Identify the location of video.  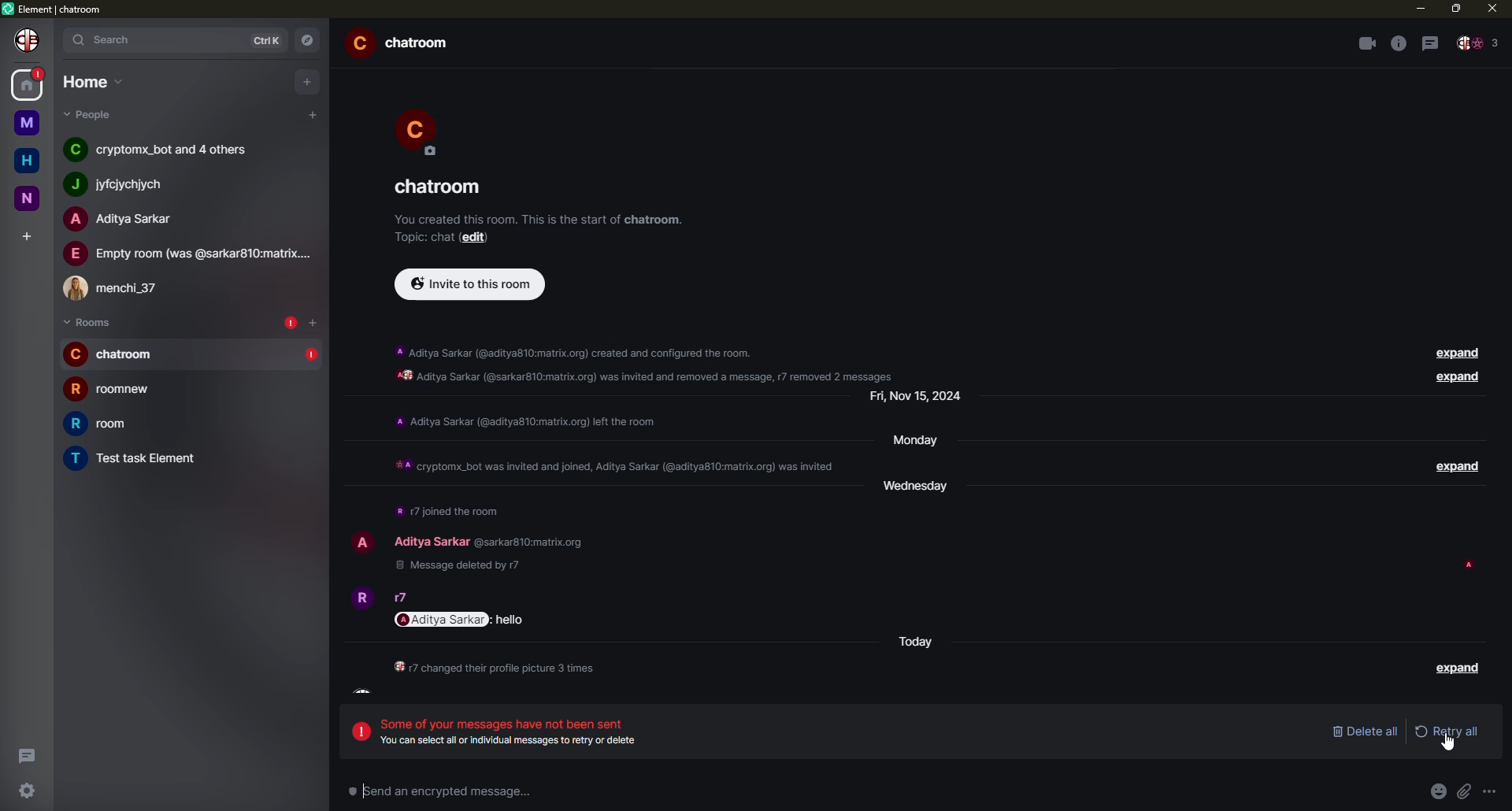
(1364, 43).